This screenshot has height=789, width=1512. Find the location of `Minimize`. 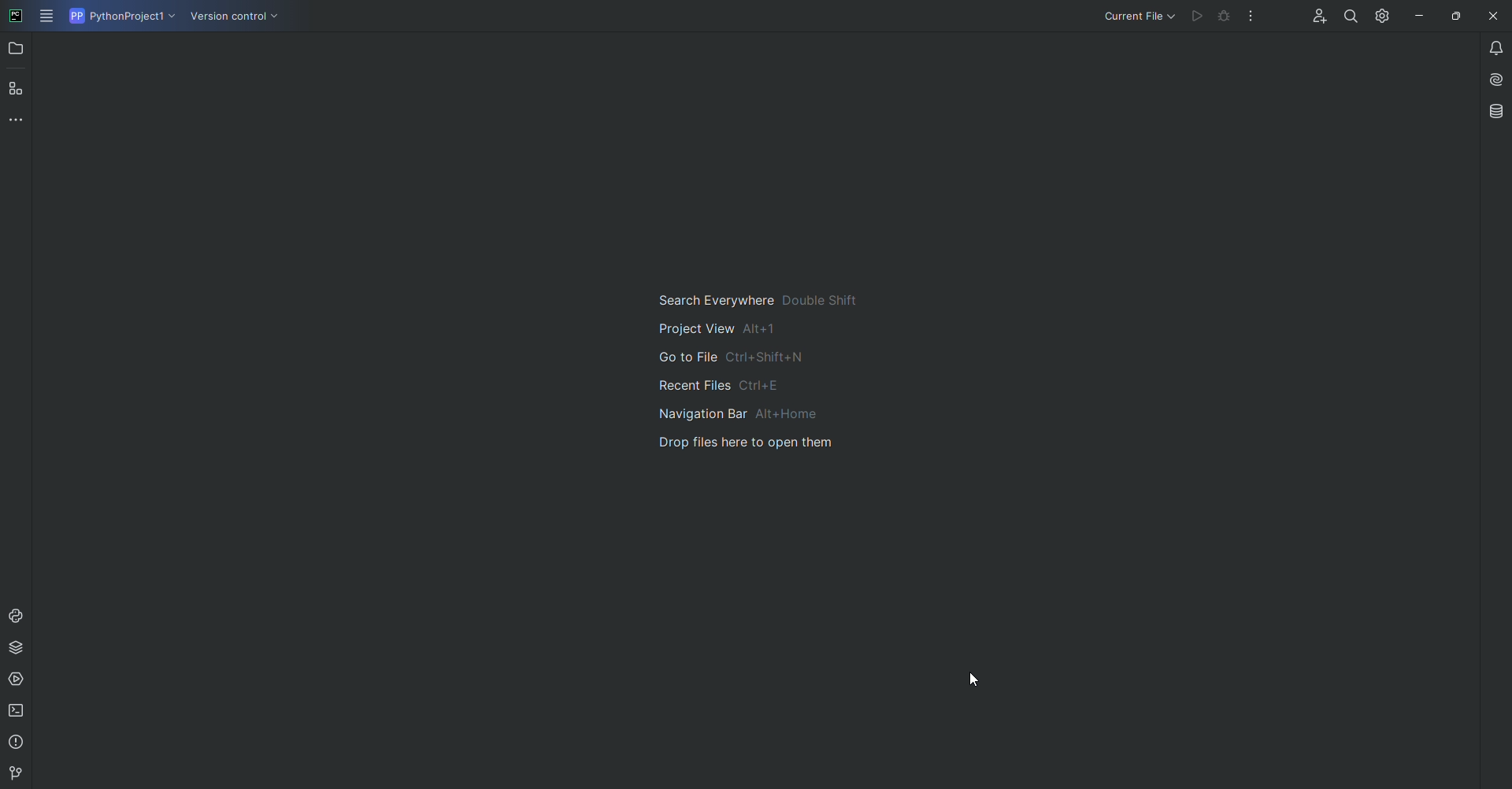

Minimize is located at coordinates (1415, 16).